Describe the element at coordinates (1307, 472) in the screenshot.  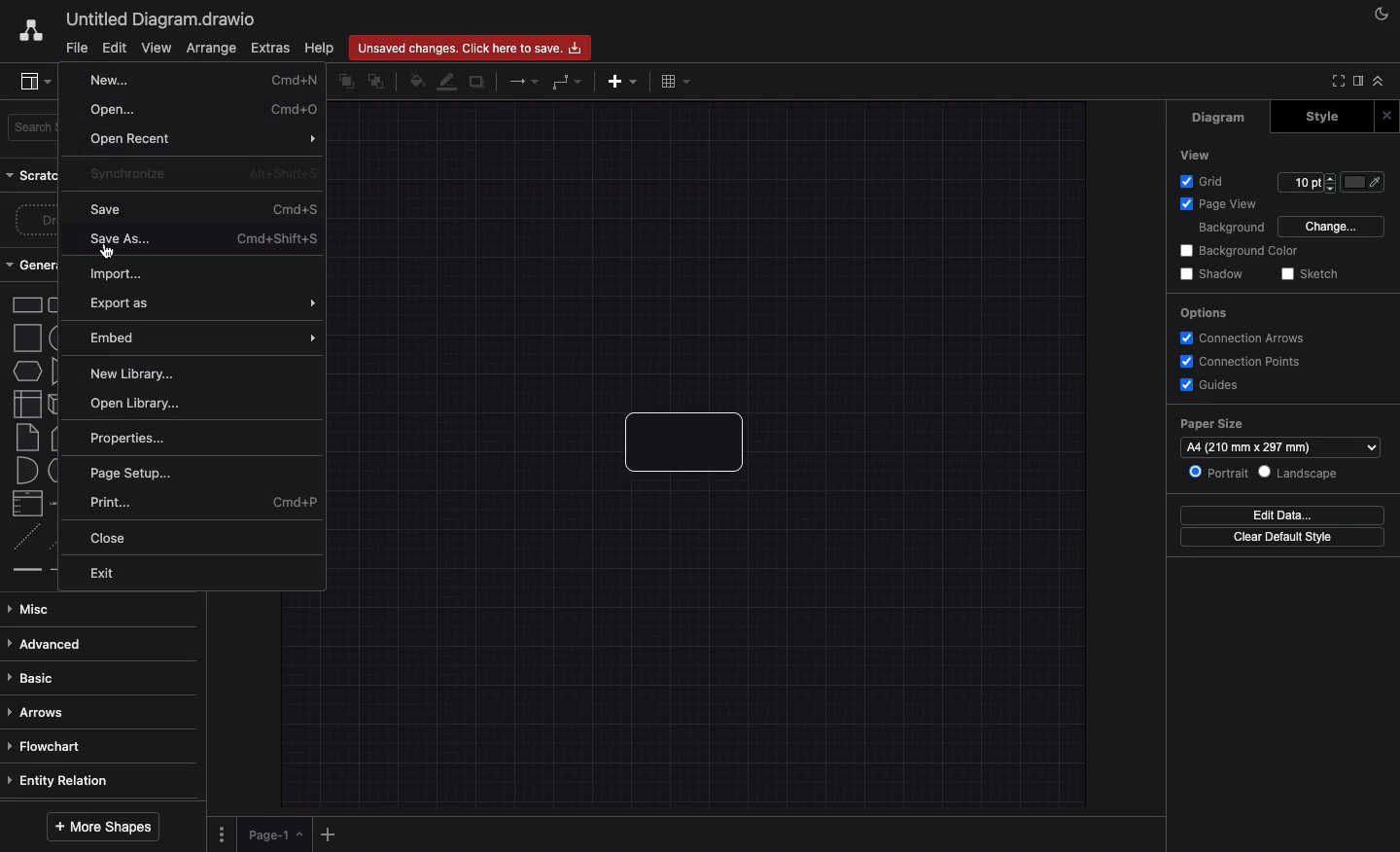
I see `Landscape` at that location.